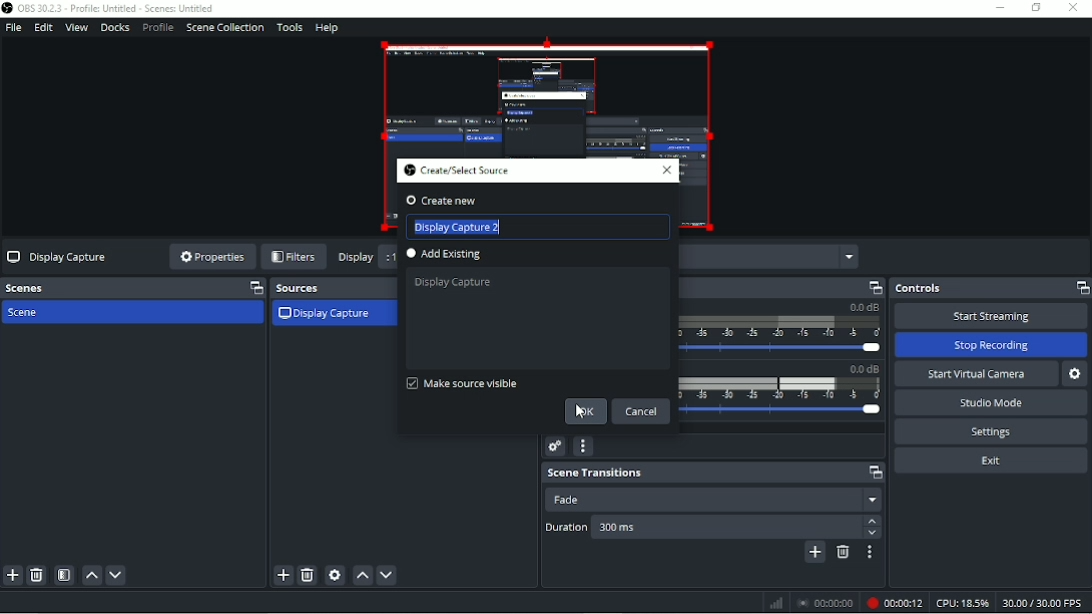  I want to click on Exit, so click(991, 461).